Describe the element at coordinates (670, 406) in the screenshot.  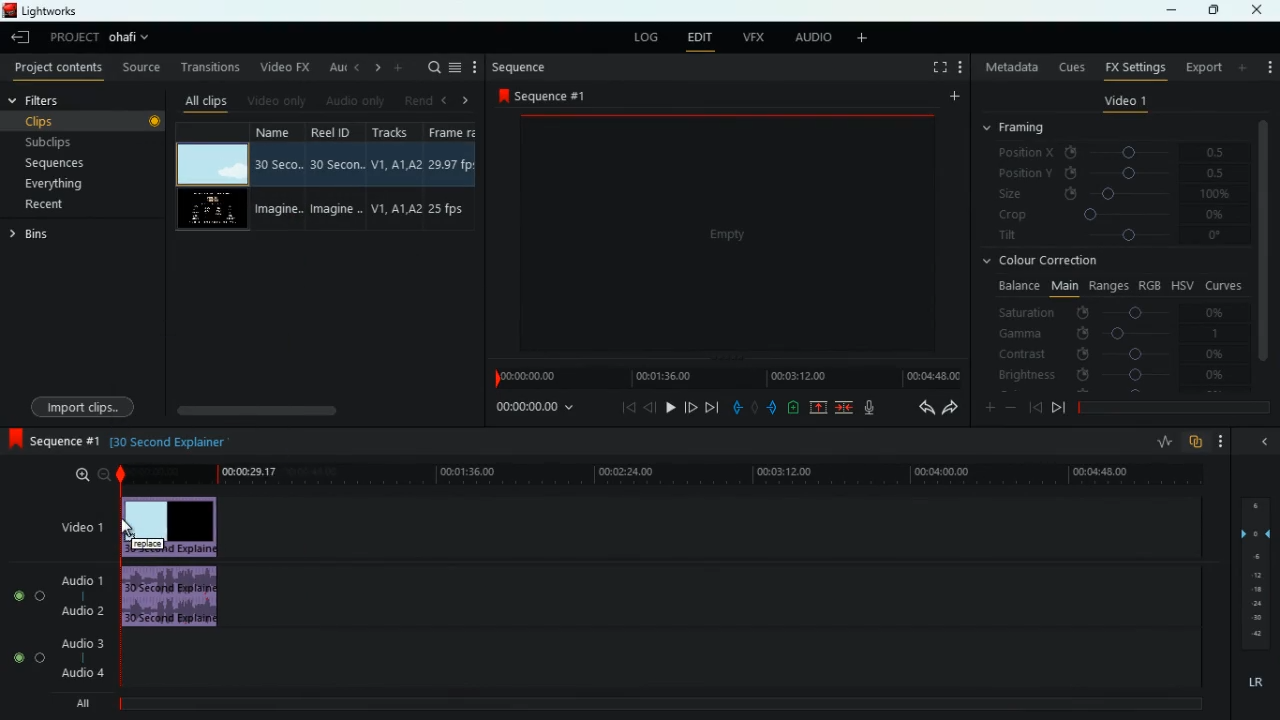
I see `play` at that location.